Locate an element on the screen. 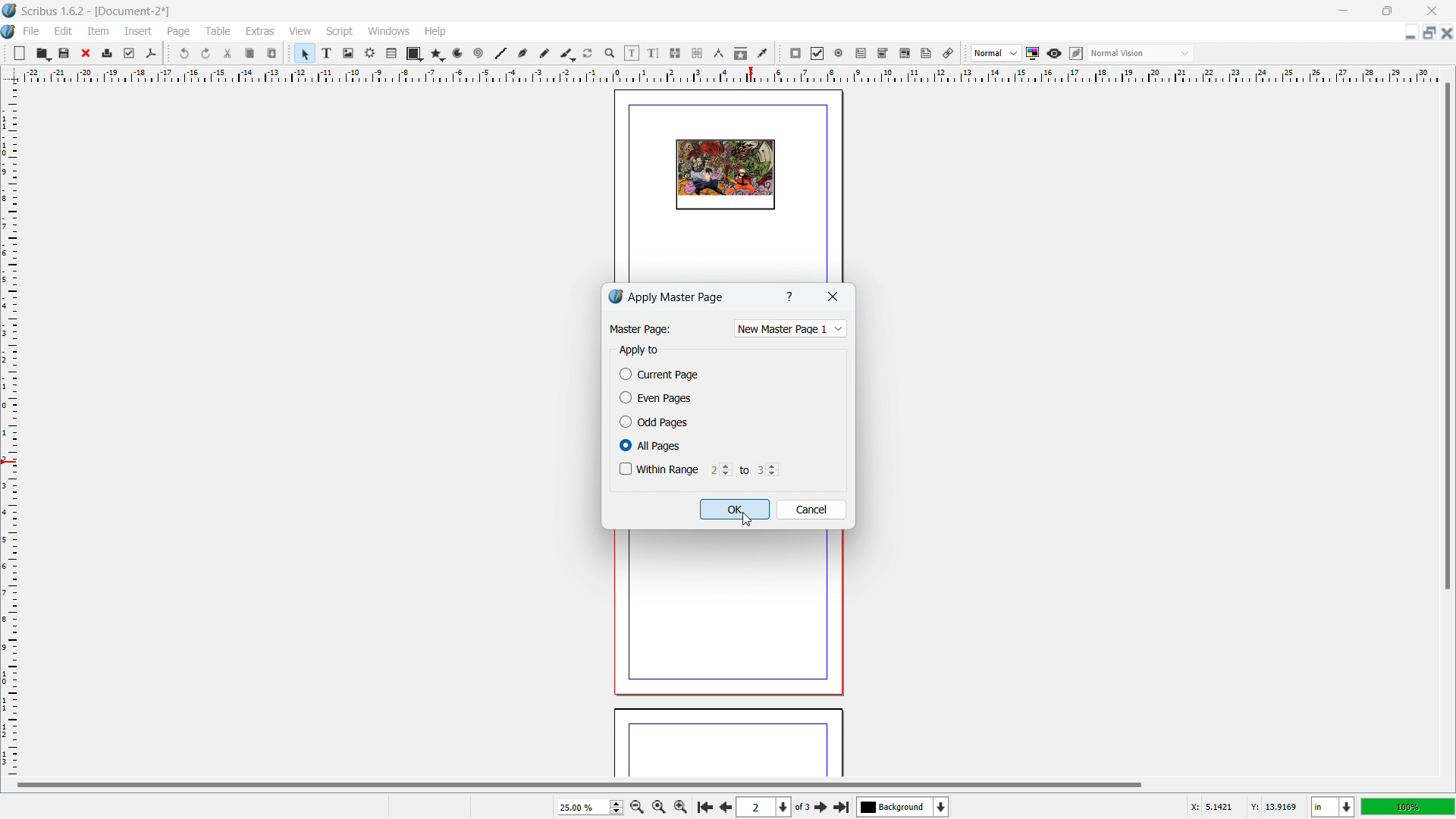 The image size is (1456, 819). zoom in by the stepping value in tool preference is located at coordinates (681, 805).